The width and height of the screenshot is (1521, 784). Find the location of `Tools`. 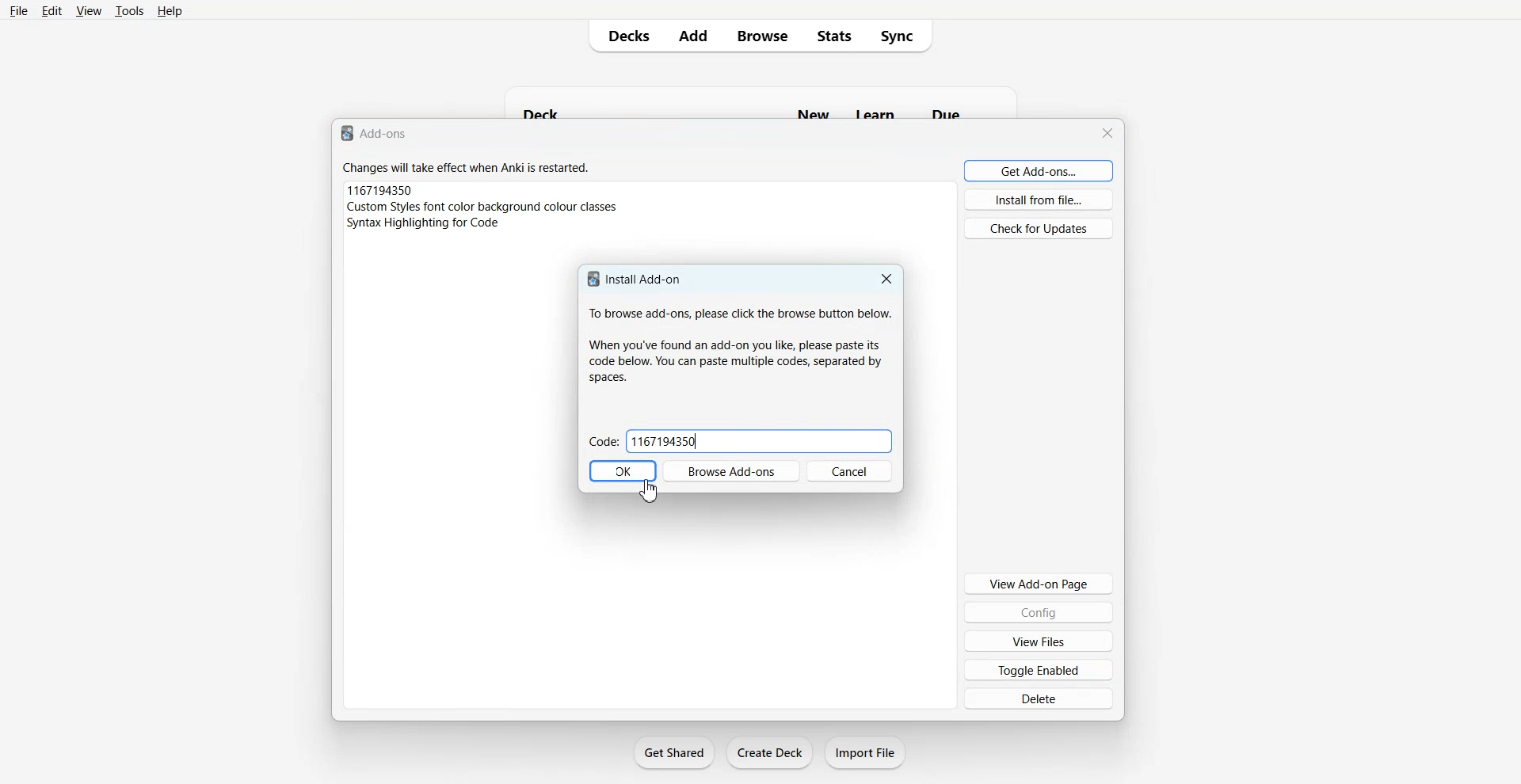

Tools is located at coordinates (128, 11).